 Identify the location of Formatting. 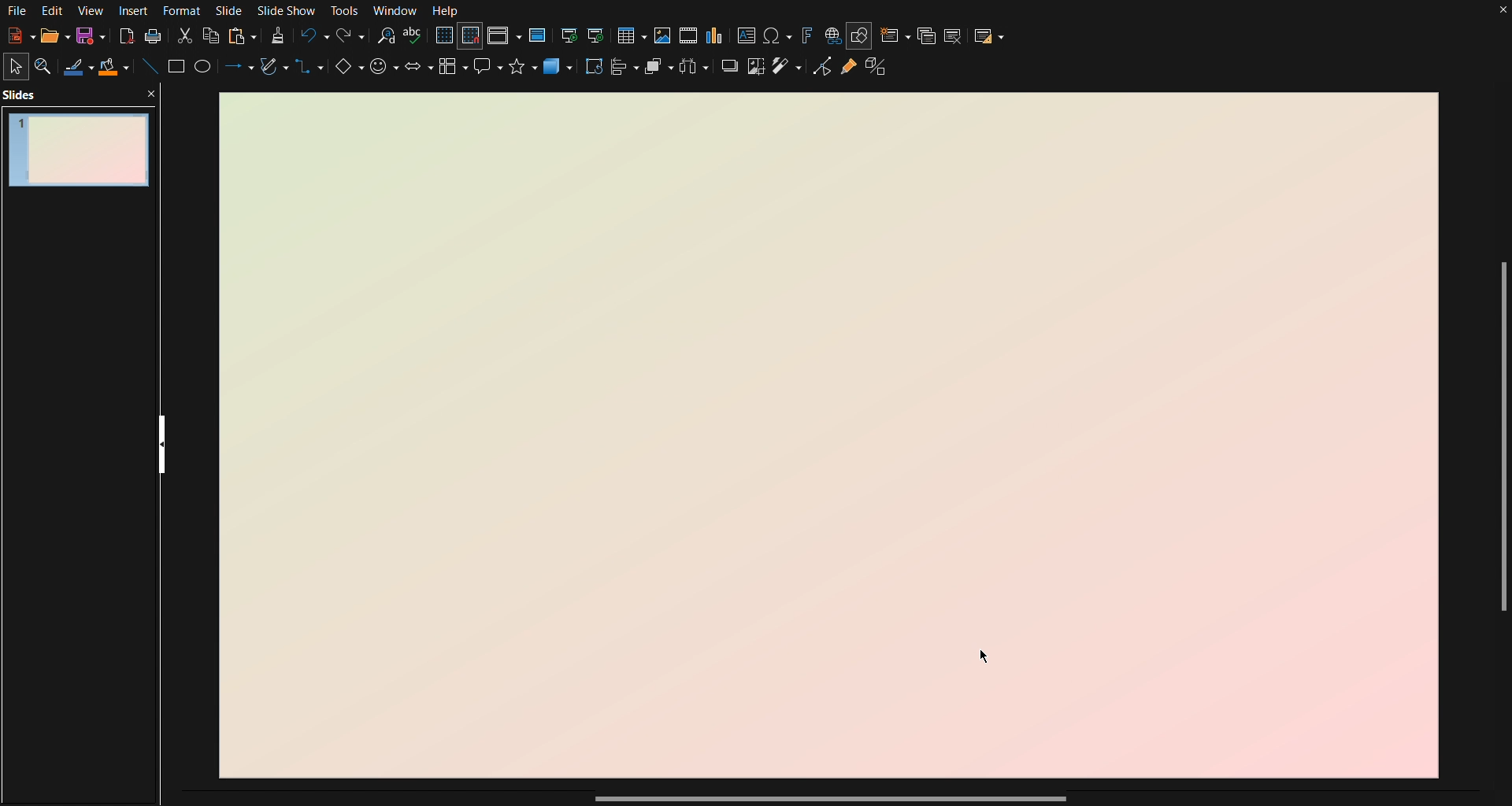
(277, 35).